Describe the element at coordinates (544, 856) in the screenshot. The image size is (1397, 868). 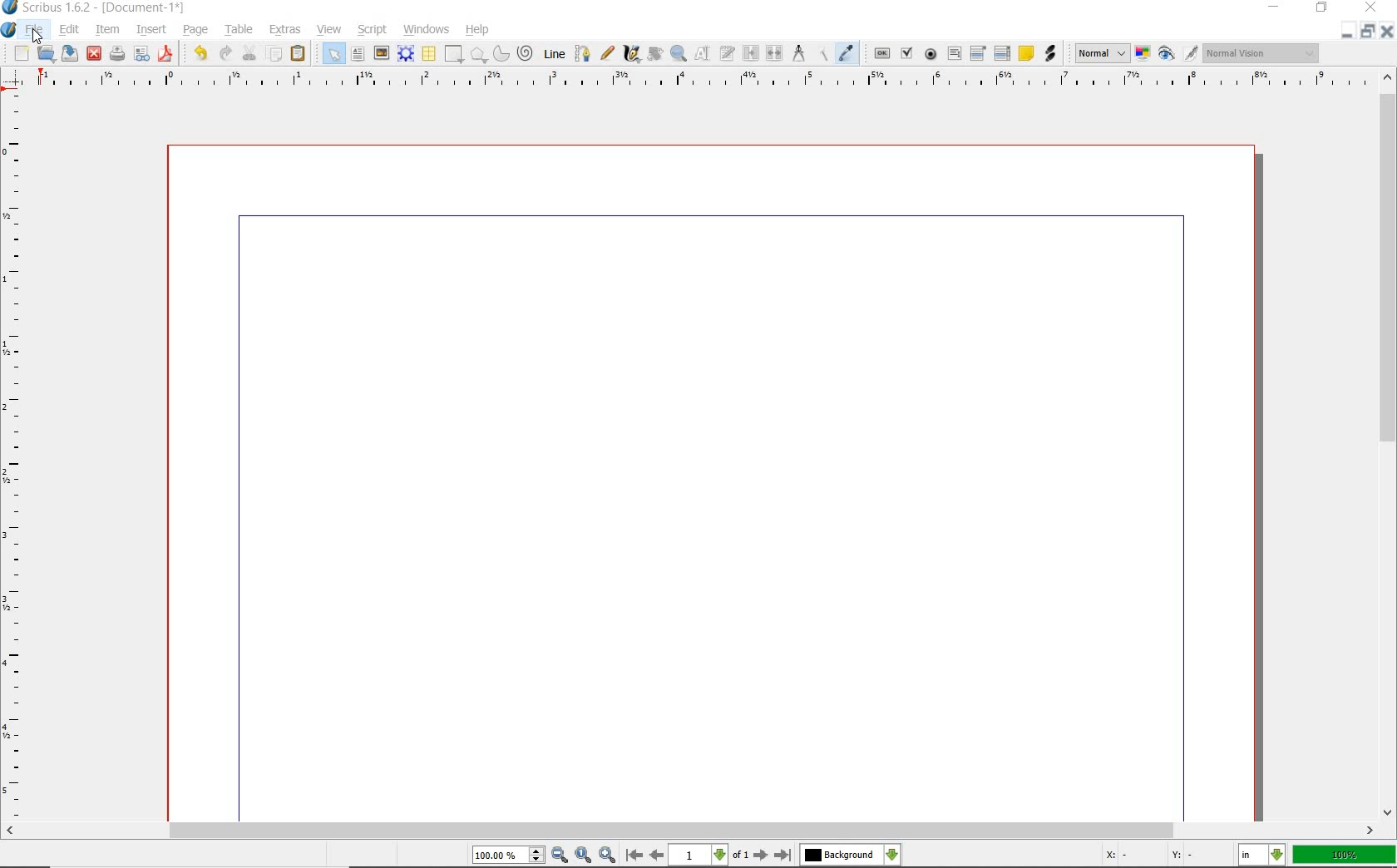
I see `zoom in/zoom to/zoom out` at that location.